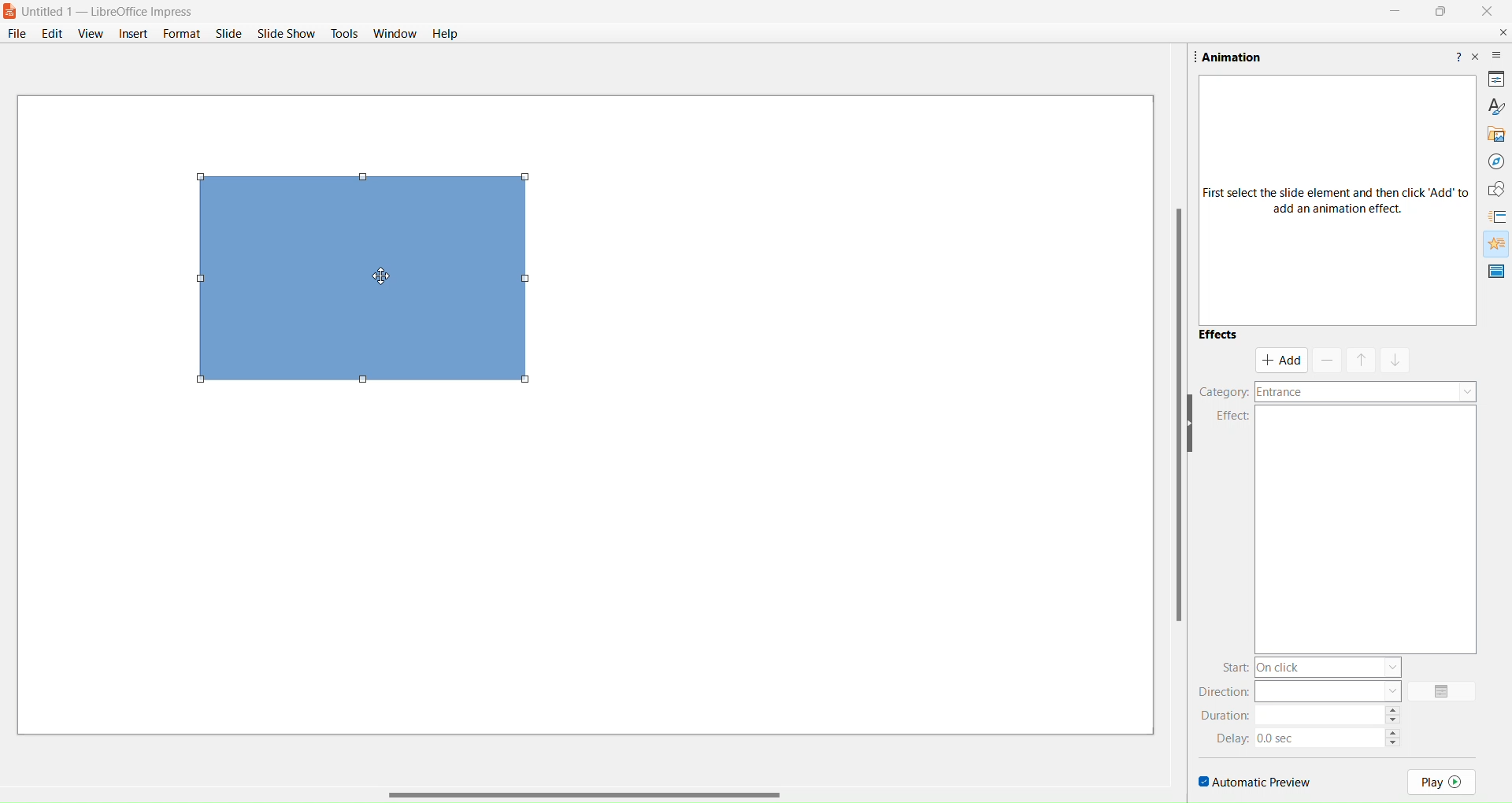 The image size is (1512, 803). I want to click on slide, so click(228, 34).